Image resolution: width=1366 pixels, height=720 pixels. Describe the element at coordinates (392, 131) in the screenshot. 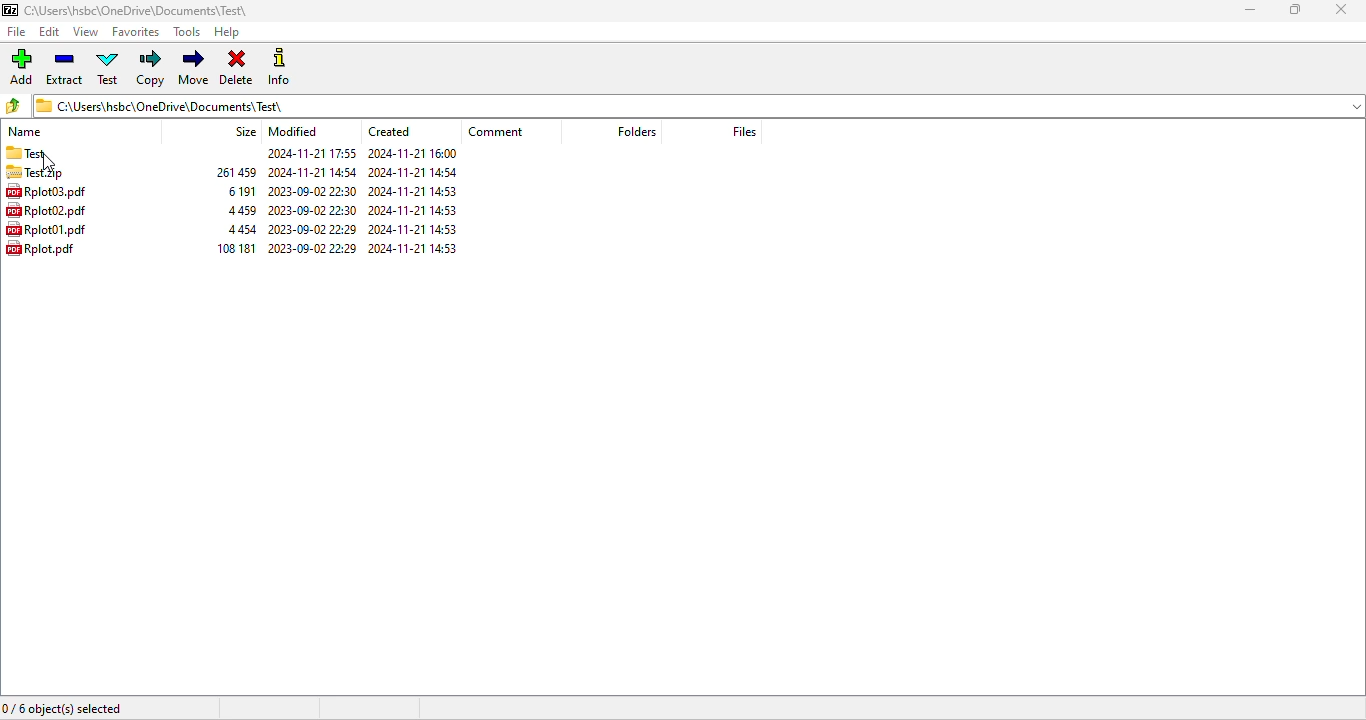

I see `created` at that location.